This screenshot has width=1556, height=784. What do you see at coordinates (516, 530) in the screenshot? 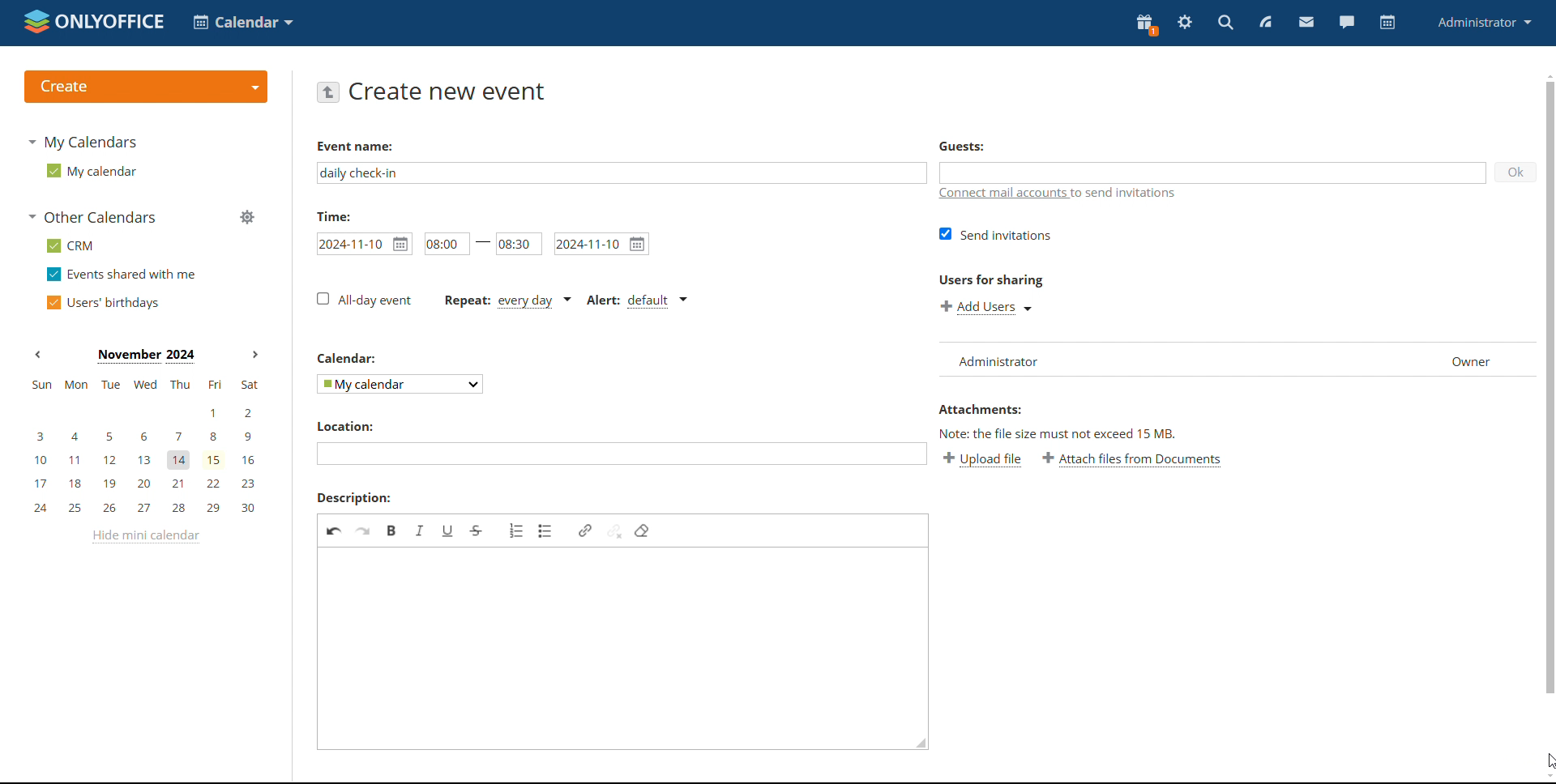
I see `insert/remove numbered list` at bounding box center [516, 530].